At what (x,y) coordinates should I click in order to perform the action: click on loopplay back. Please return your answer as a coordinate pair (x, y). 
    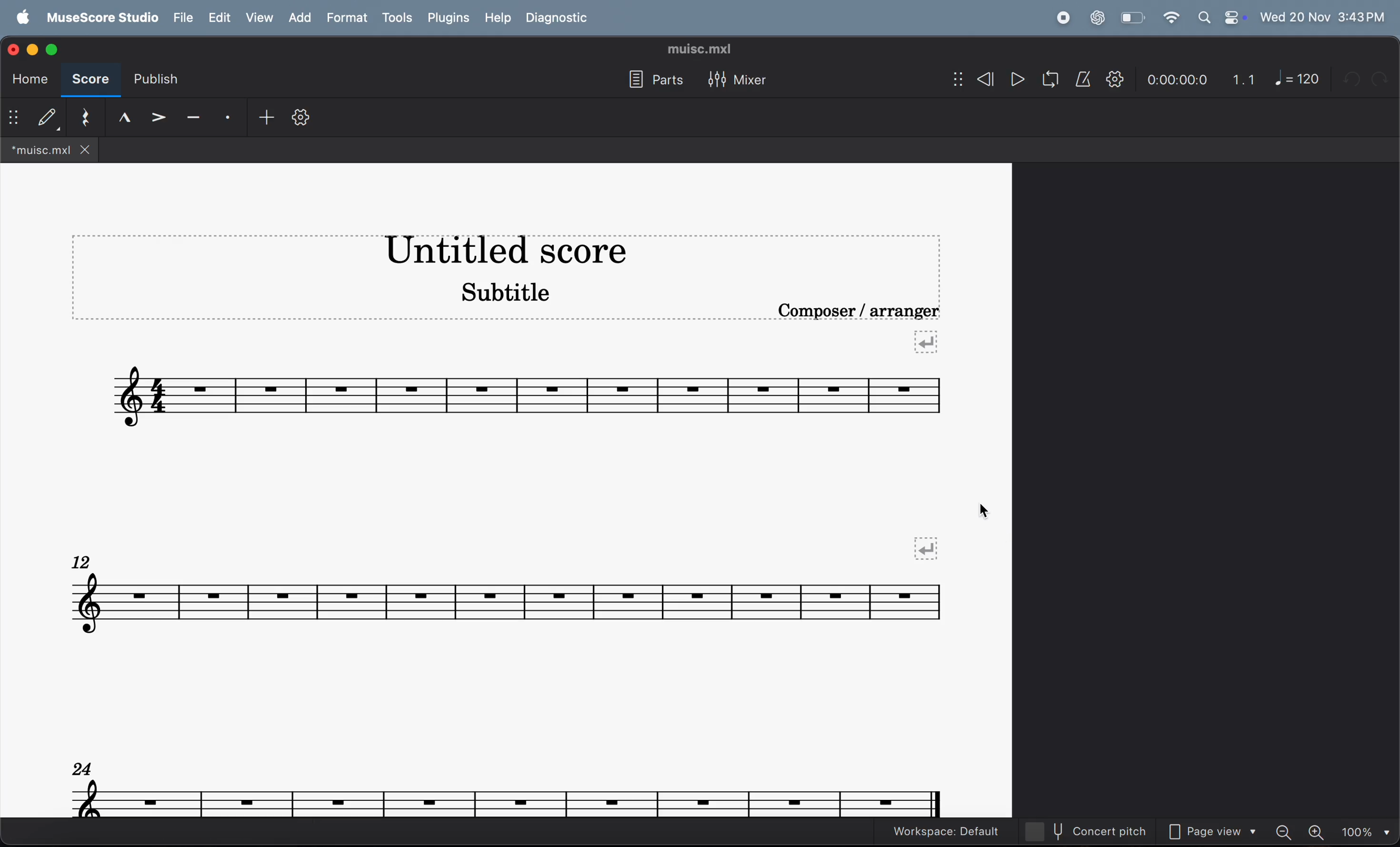
    Looking at the image, I should click on (1046, 78).